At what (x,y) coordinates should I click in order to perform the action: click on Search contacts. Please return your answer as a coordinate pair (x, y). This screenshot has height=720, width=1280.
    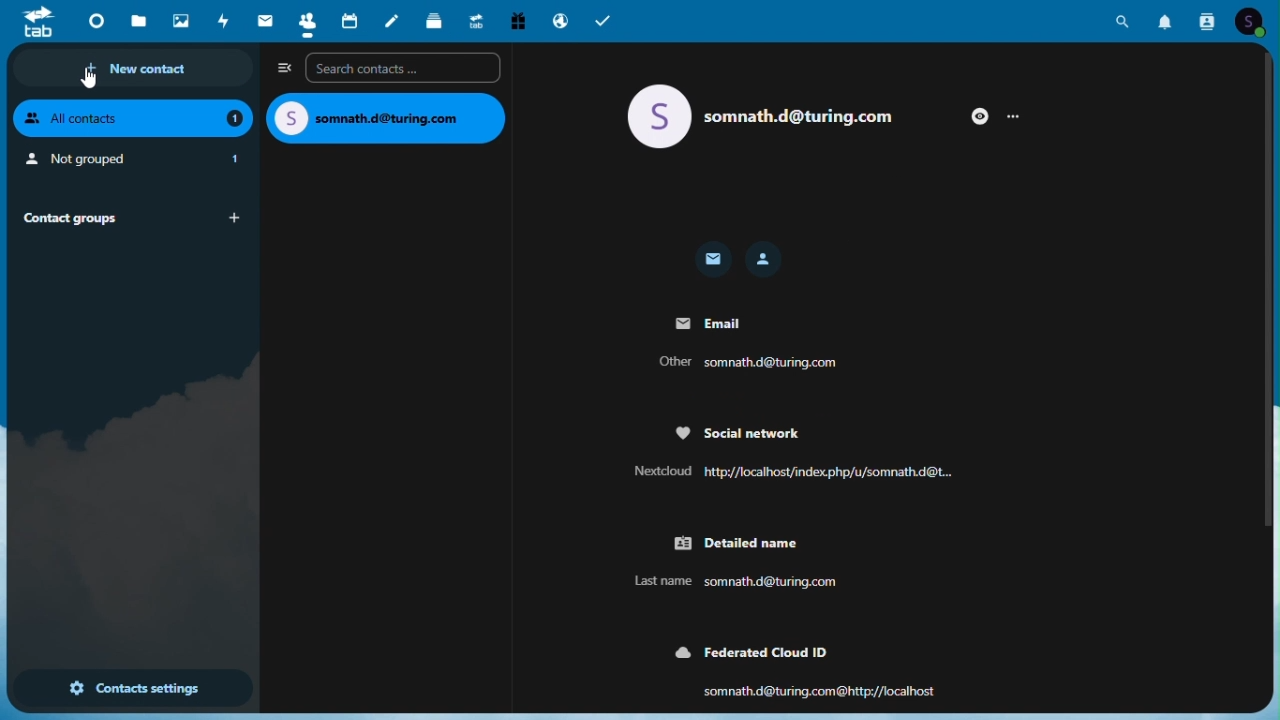
    Looking at the image, I should click on (404, 68).